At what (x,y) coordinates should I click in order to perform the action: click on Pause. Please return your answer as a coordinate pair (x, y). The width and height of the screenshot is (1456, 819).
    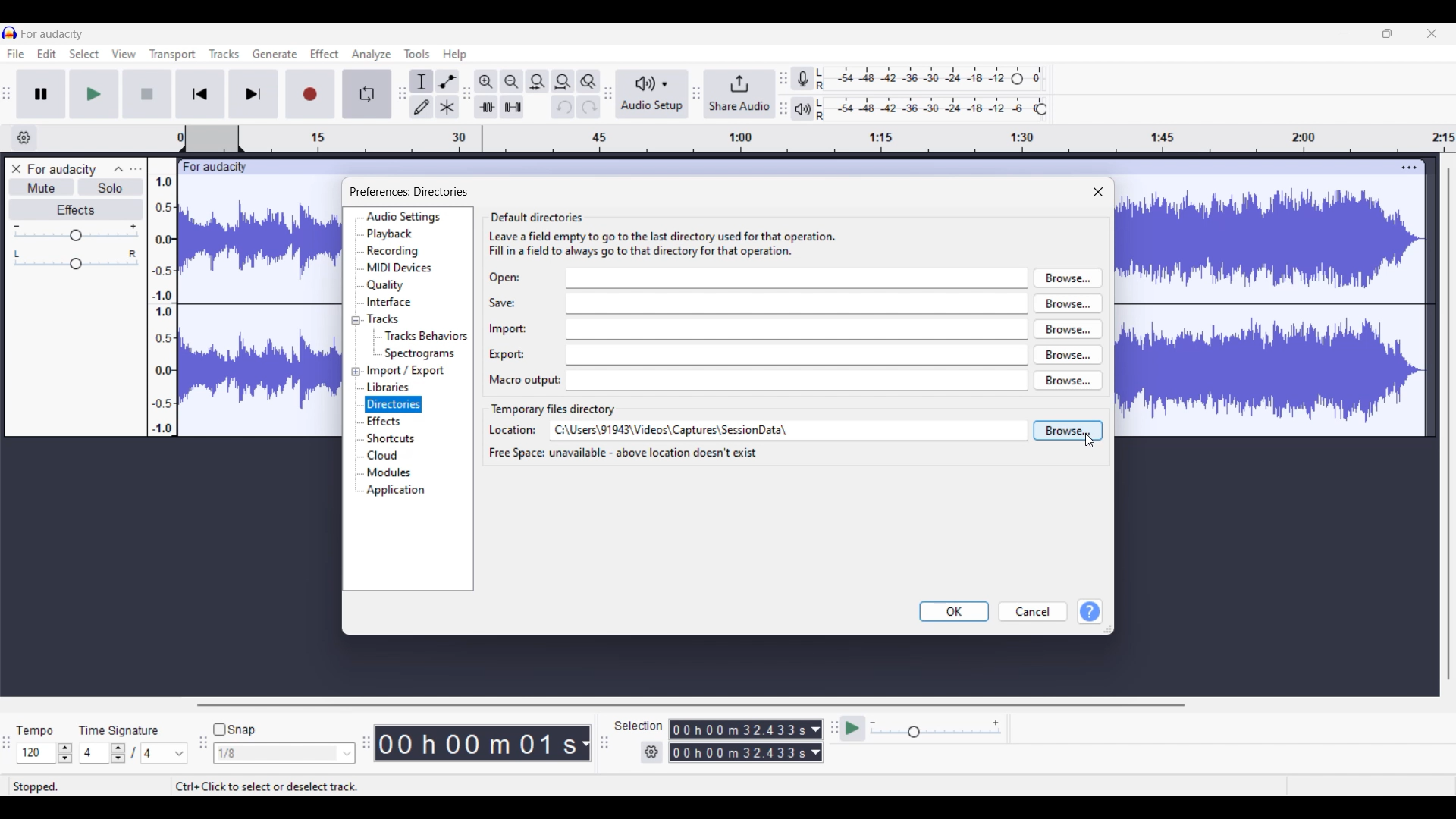
    Looking at the image, I should click on (42, 94).